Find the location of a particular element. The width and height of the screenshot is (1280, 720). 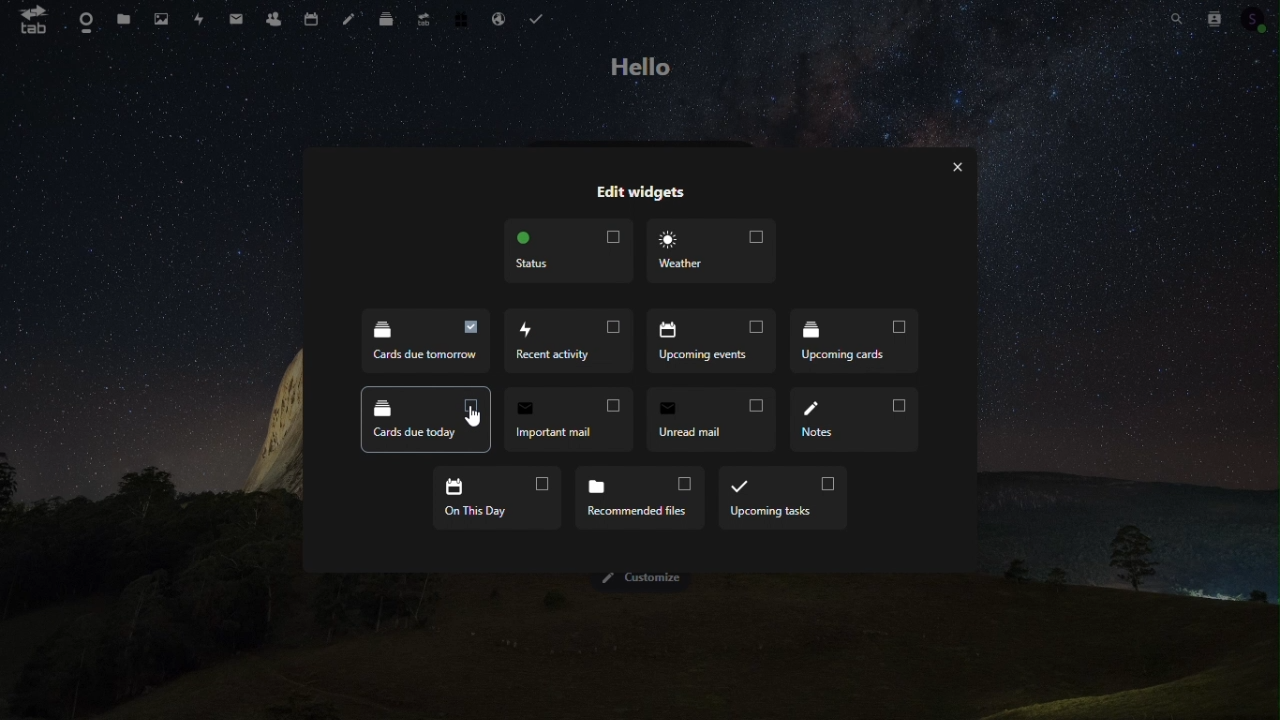

Weather is located at coordinates (710, 253).